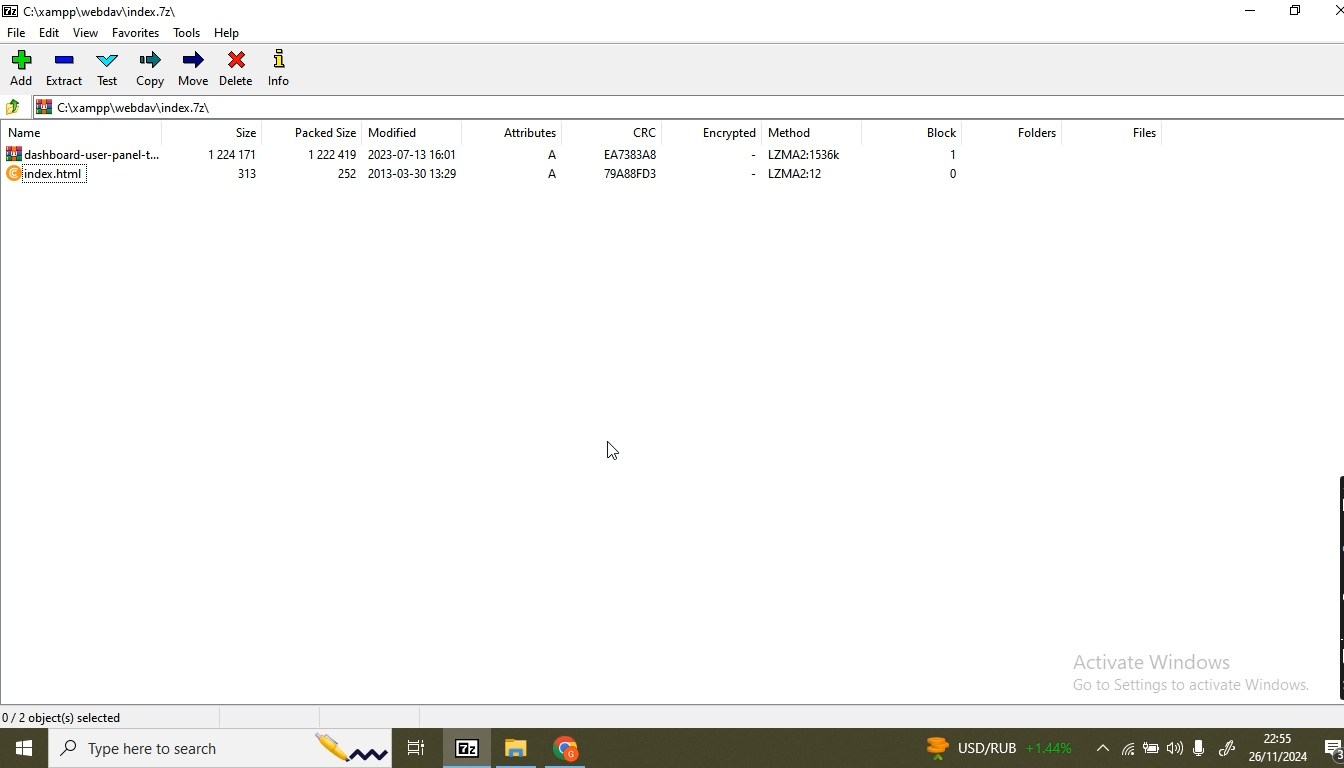 This screenshot has width=1344, height=768. I want to click on 0/2 object(s) selected, so click(65, 715).